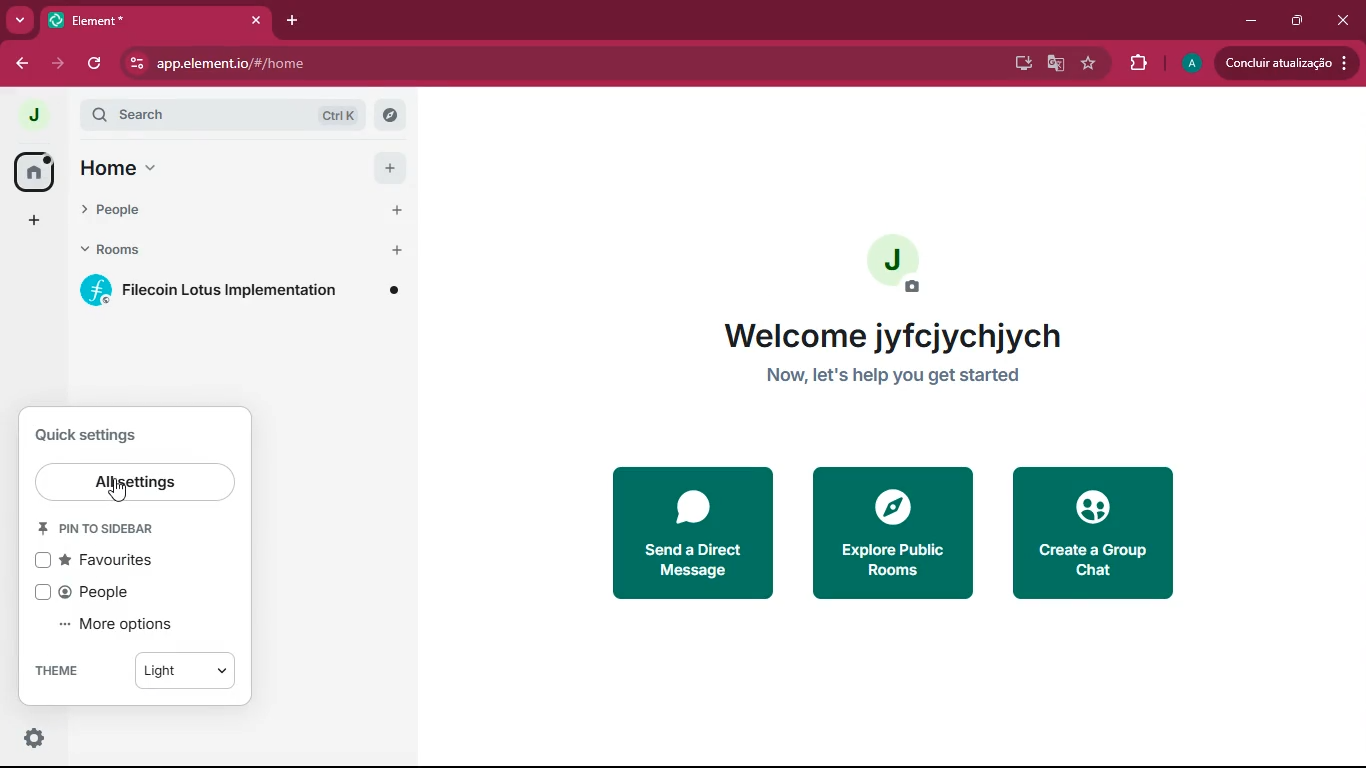 This screenshot has height=768, width=1366. I want to click on add tab, so click(295, 21).